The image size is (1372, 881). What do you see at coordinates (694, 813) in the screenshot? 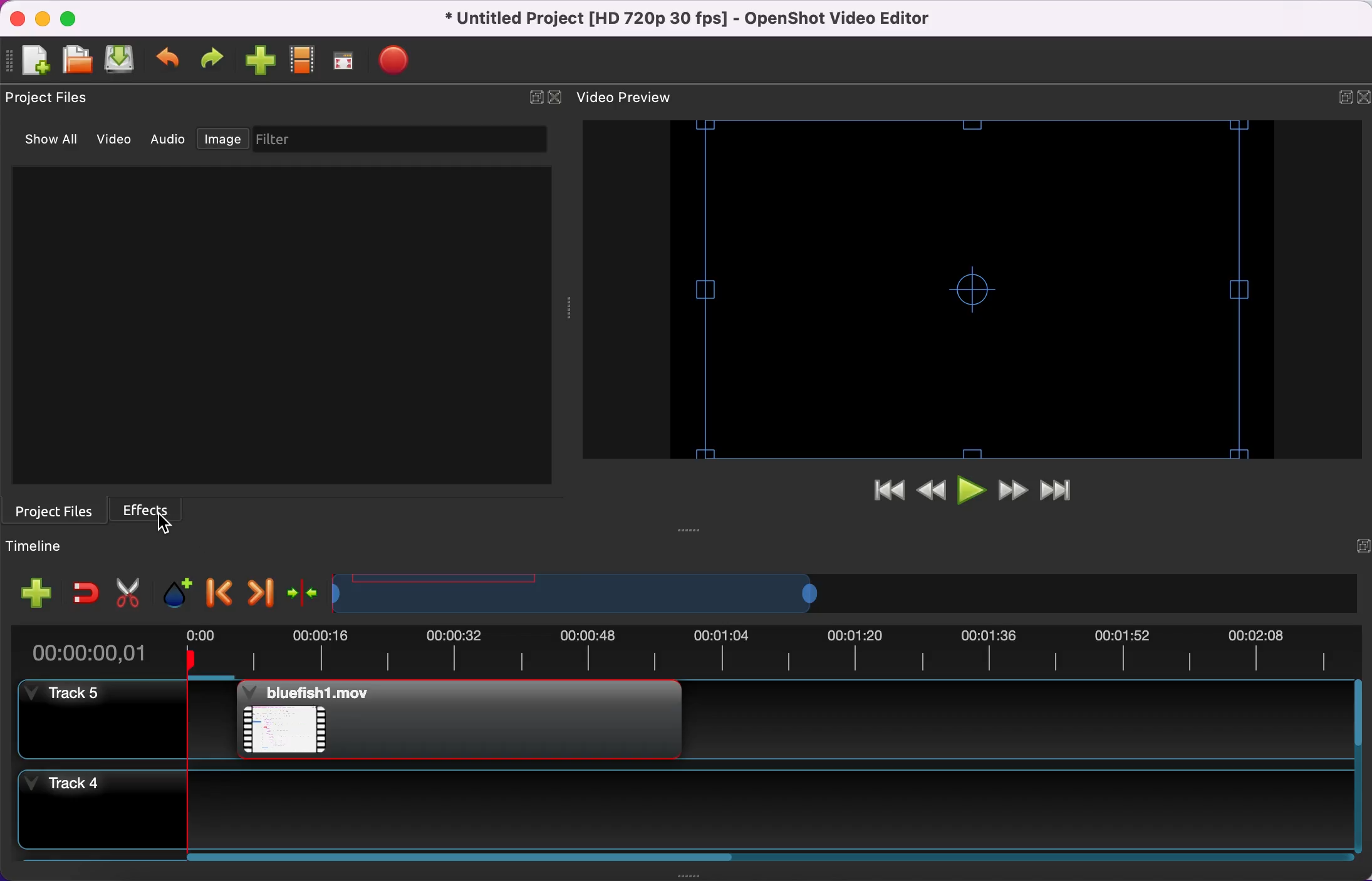
I see `track 4` at bounding box center [694, 813].